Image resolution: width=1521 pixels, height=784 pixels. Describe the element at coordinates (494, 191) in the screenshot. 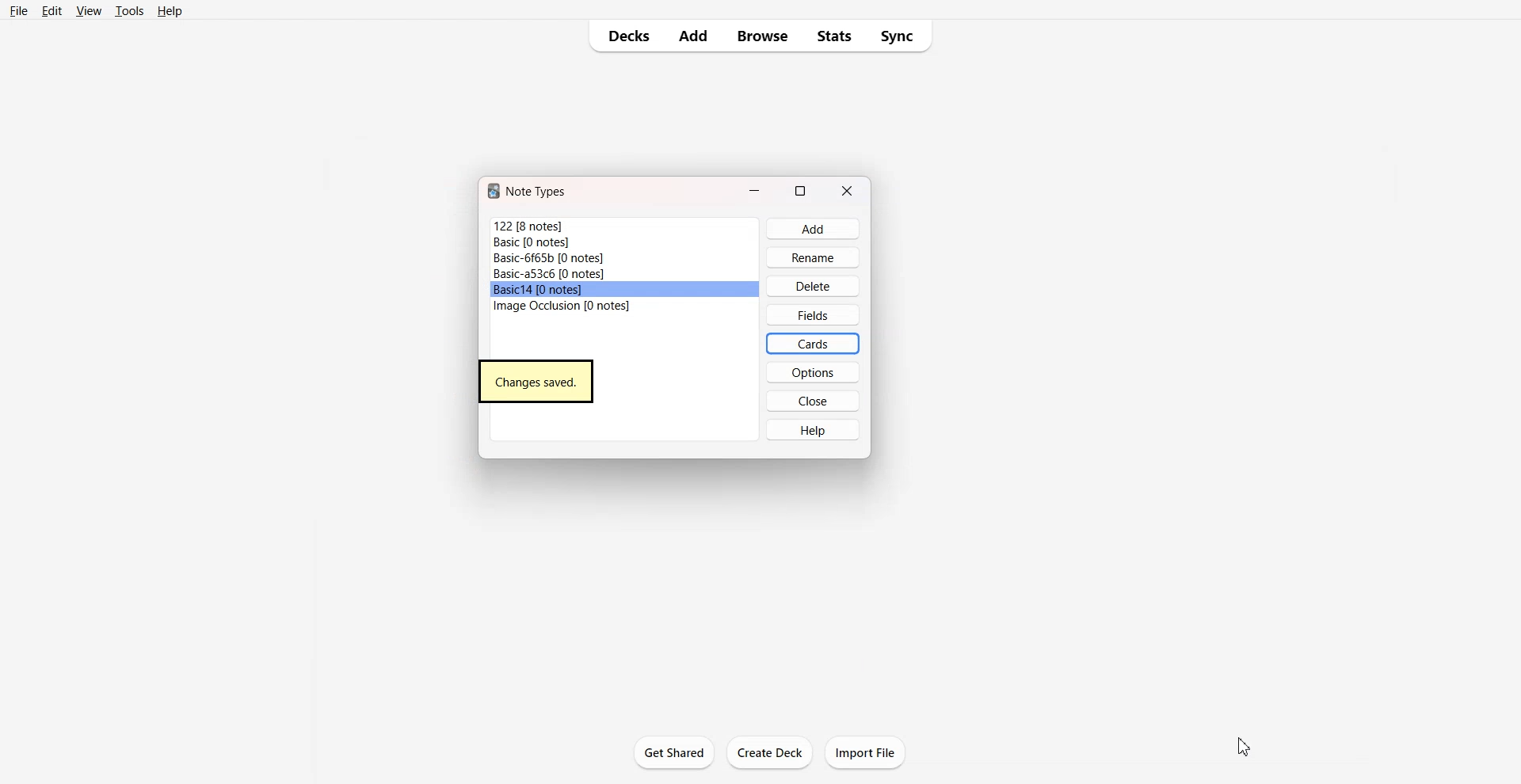

I see `Software logo` at that location.